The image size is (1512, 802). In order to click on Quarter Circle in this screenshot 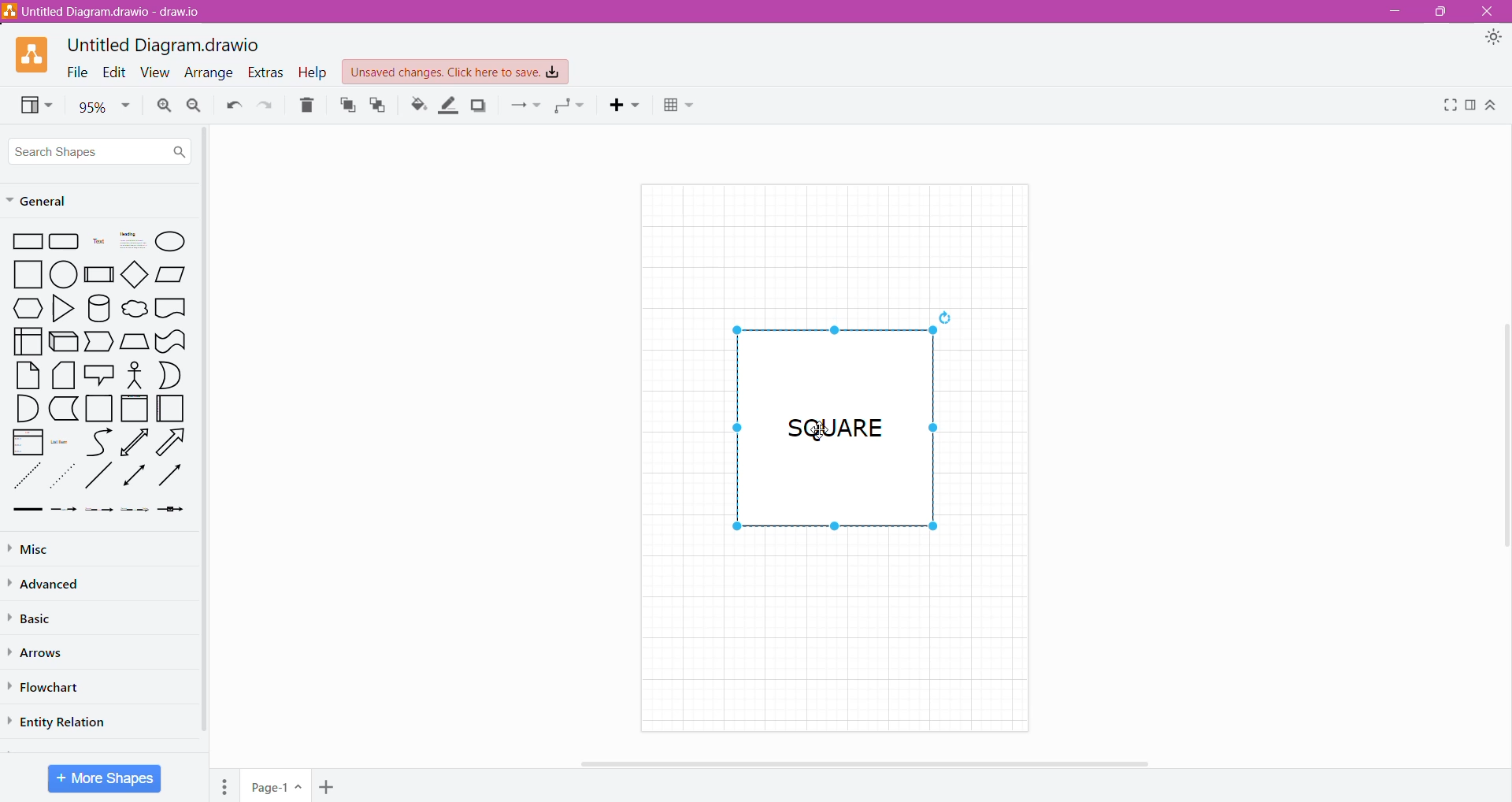, I will do `click(22, 409)`.